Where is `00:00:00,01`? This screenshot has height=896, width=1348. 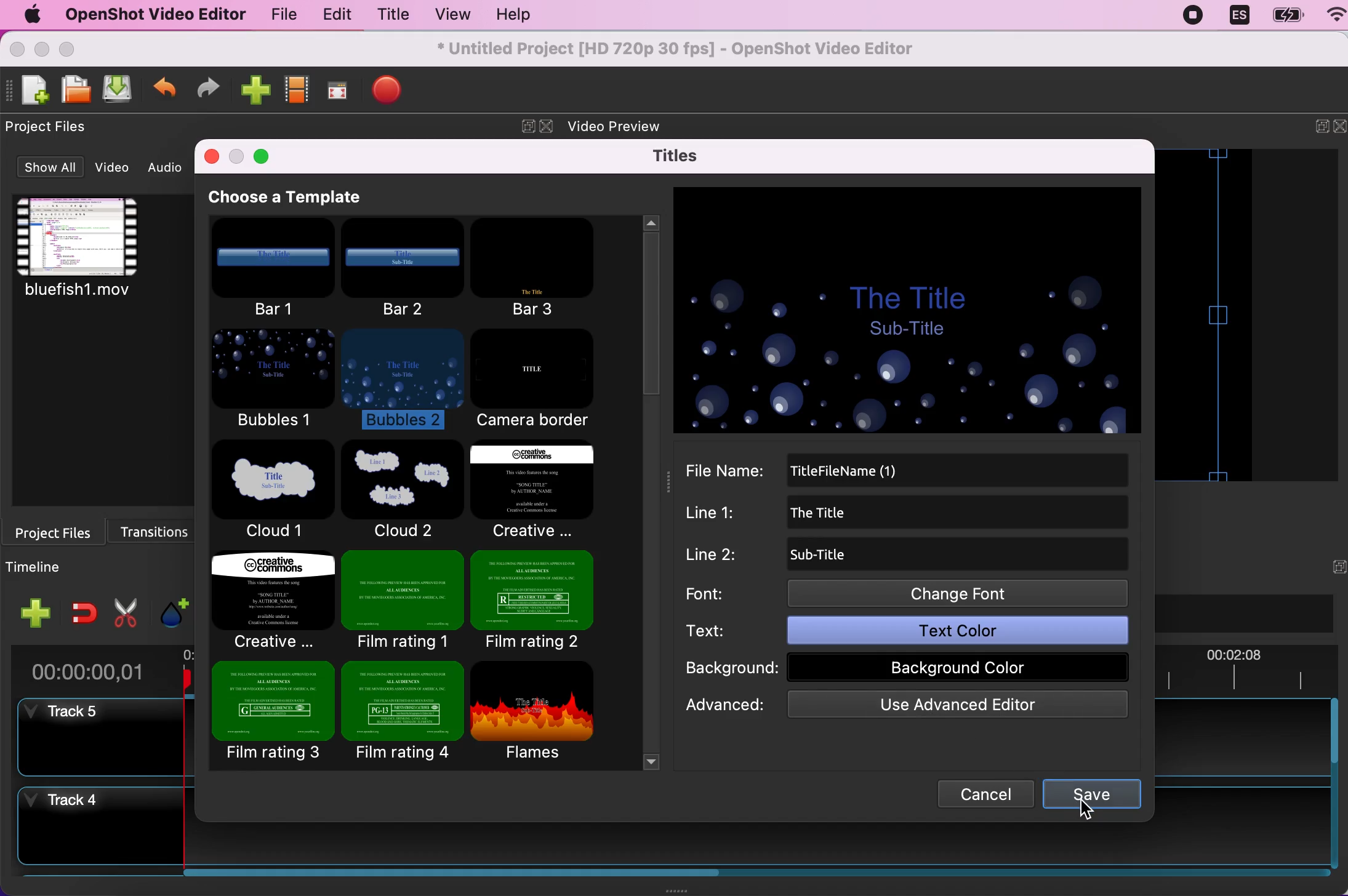
00:00:00,01 is located at coordinates (89, 668).